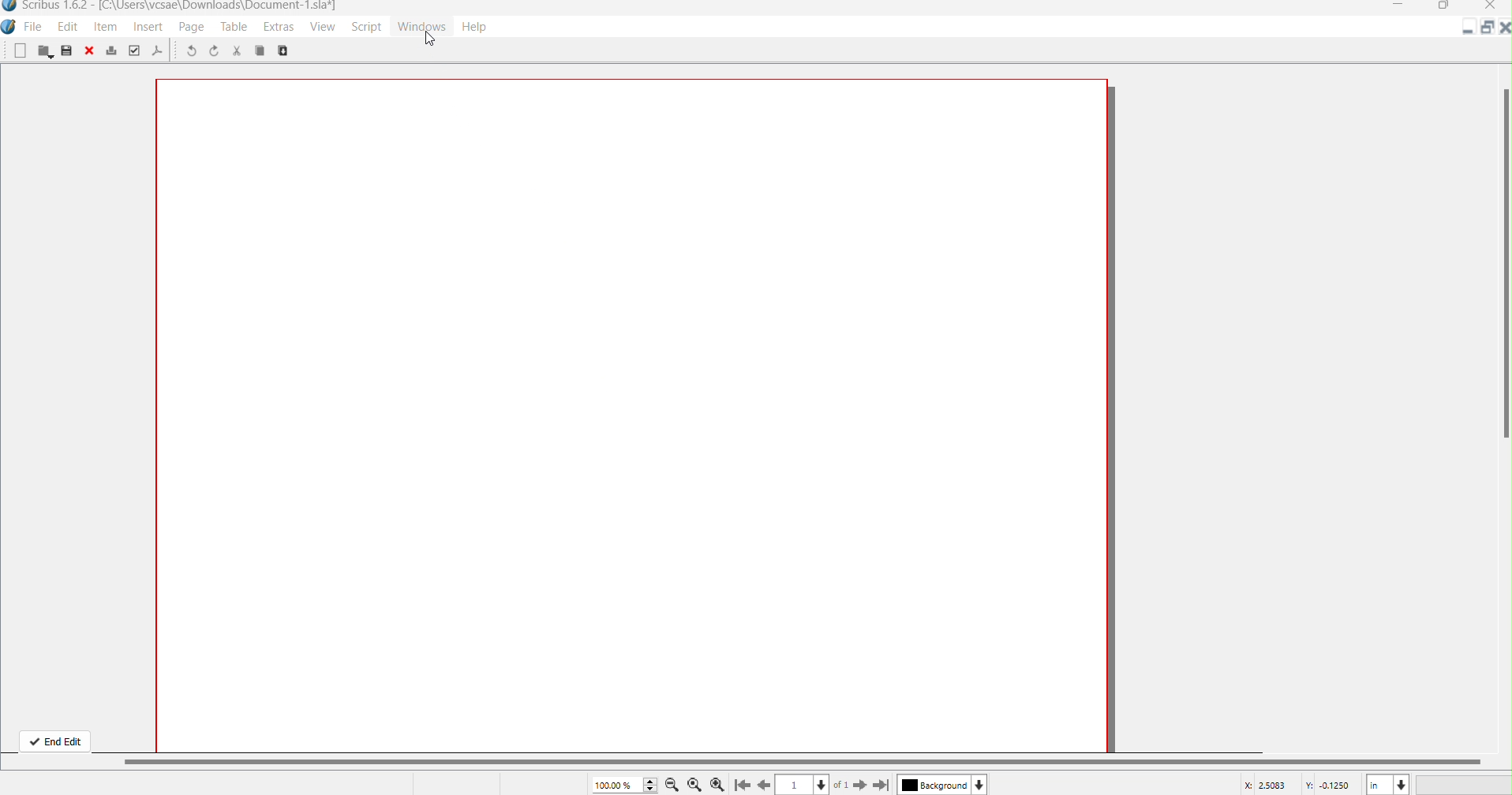 Image resolution: width=1512 pixels, height=795 pixels. What do you see at coordinates (429, 39) in the screenshot?
I see `cursor` at bounding box center [429, 39].